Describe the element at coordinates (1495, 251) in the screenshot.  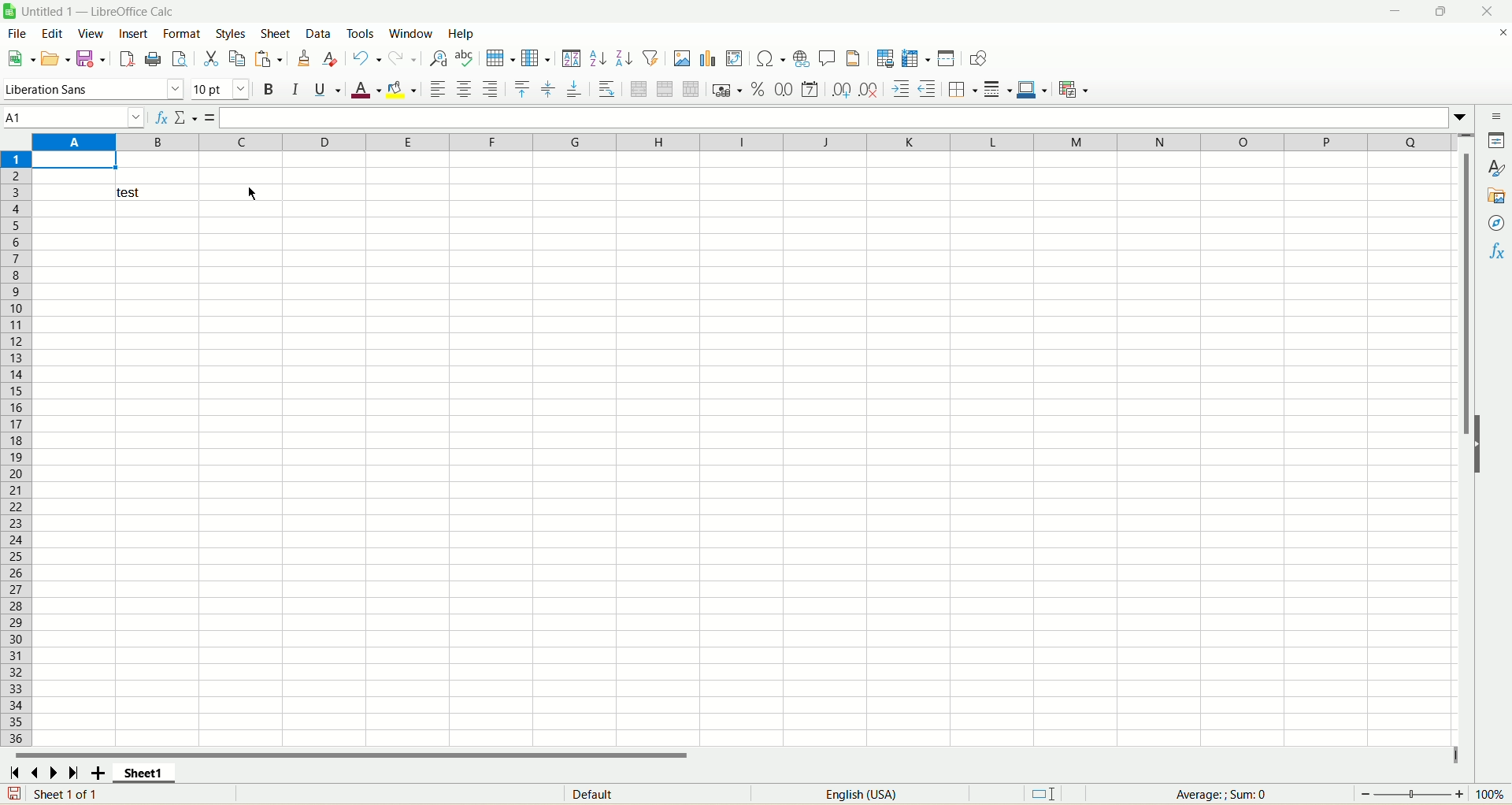
I see `functions` at that location.